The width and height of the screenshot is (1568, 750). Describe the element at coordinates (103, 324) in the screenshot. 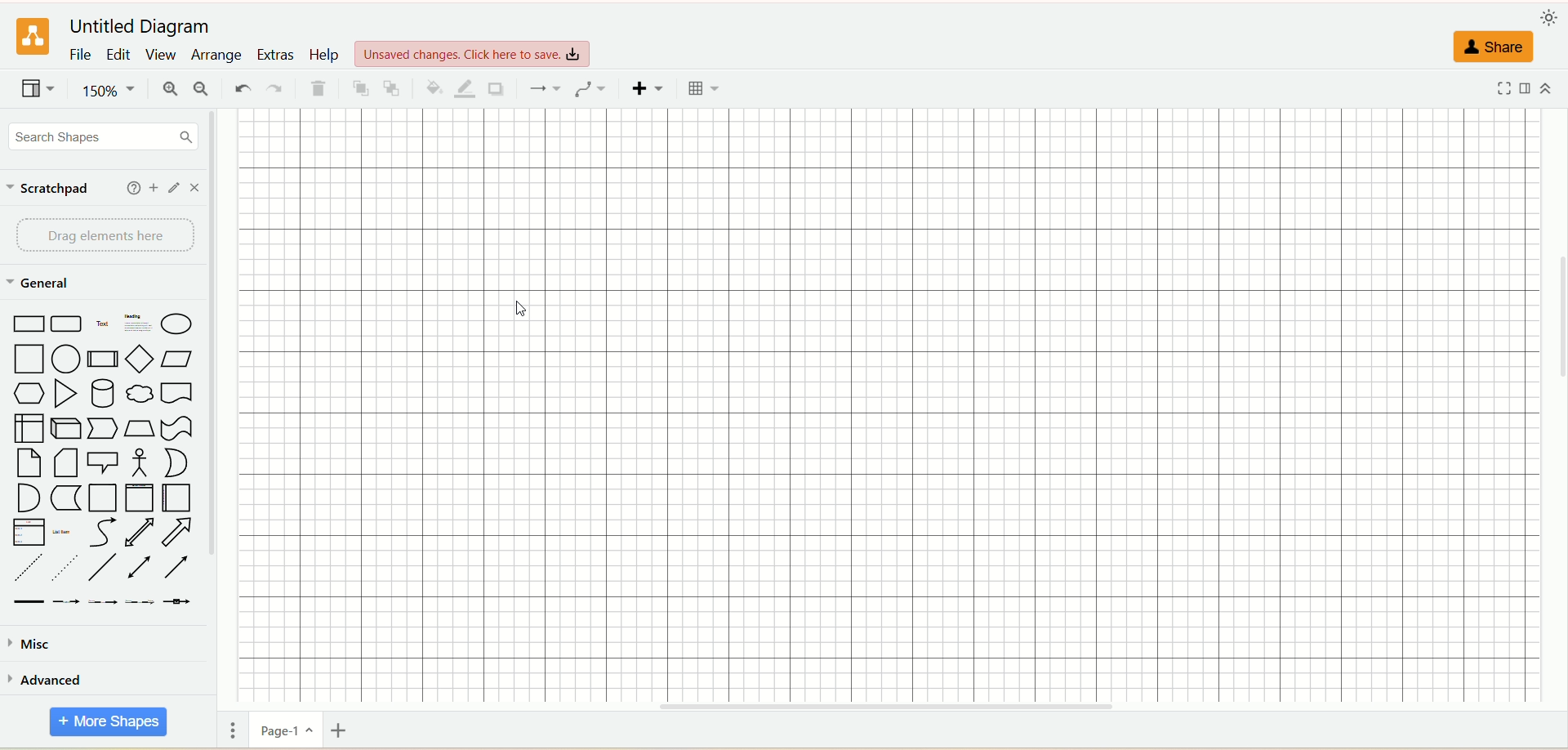

I see `text` at that location.